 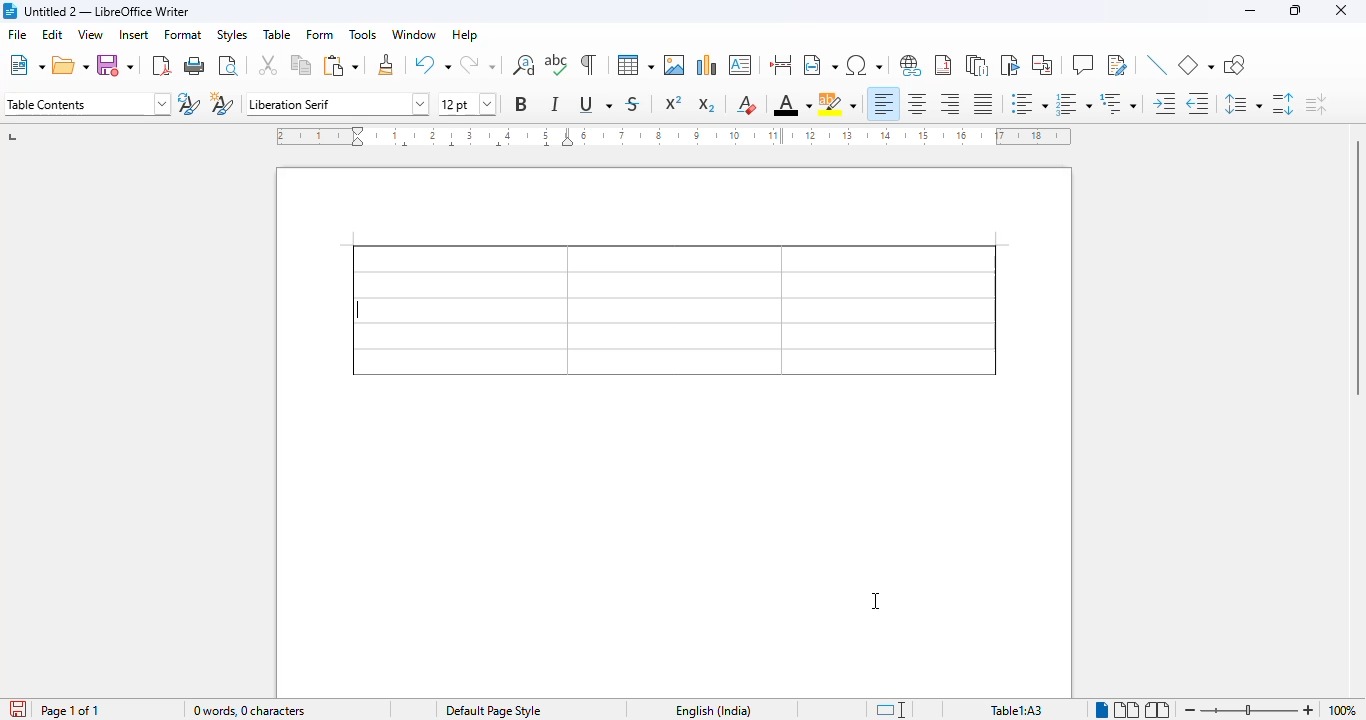 What do you see at coordinates (1102, 710) in the screenshot?
I see `Single-page view` at bounding box center [1102, 710].